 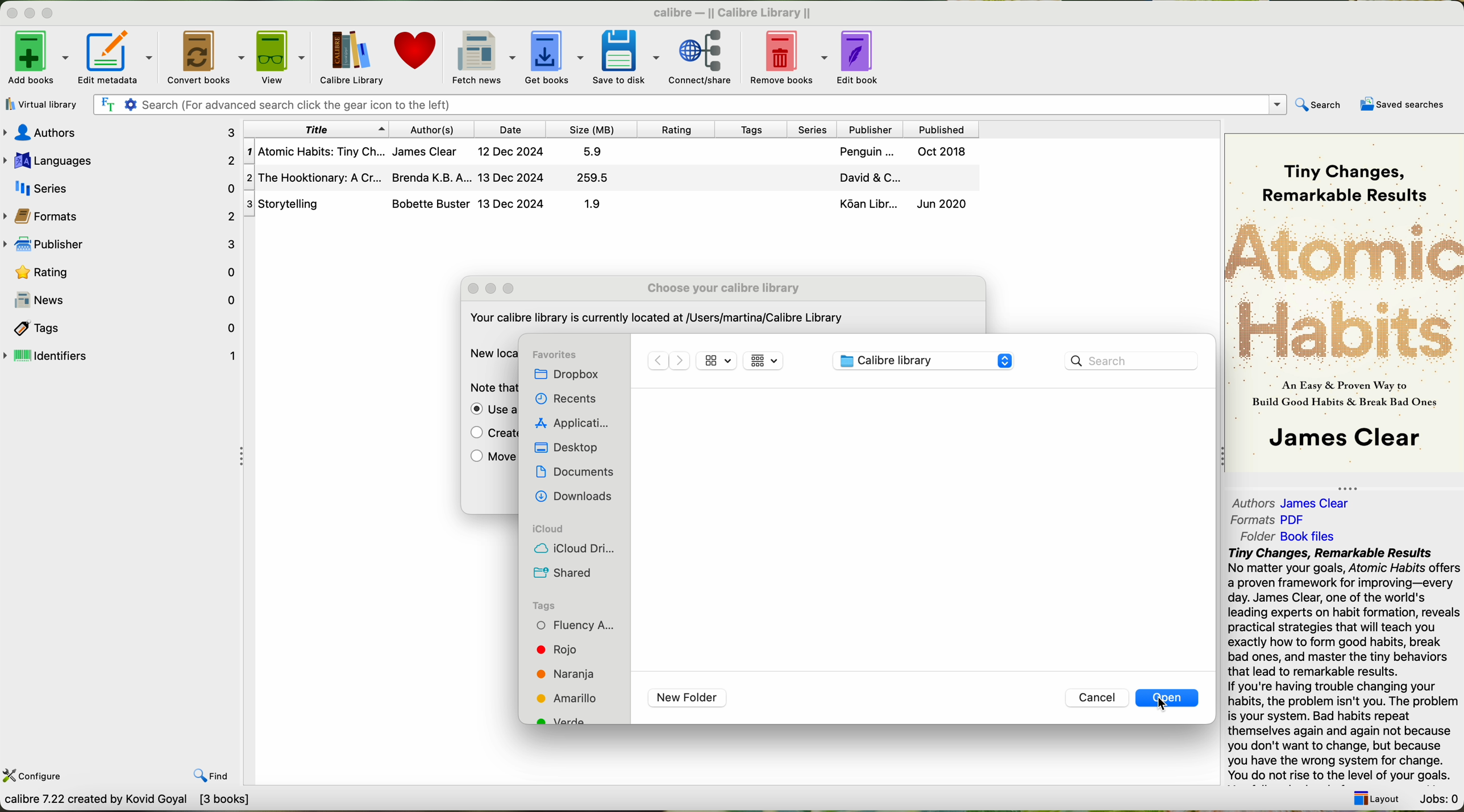 I want to click on favorites, so click(x=576, y=353).